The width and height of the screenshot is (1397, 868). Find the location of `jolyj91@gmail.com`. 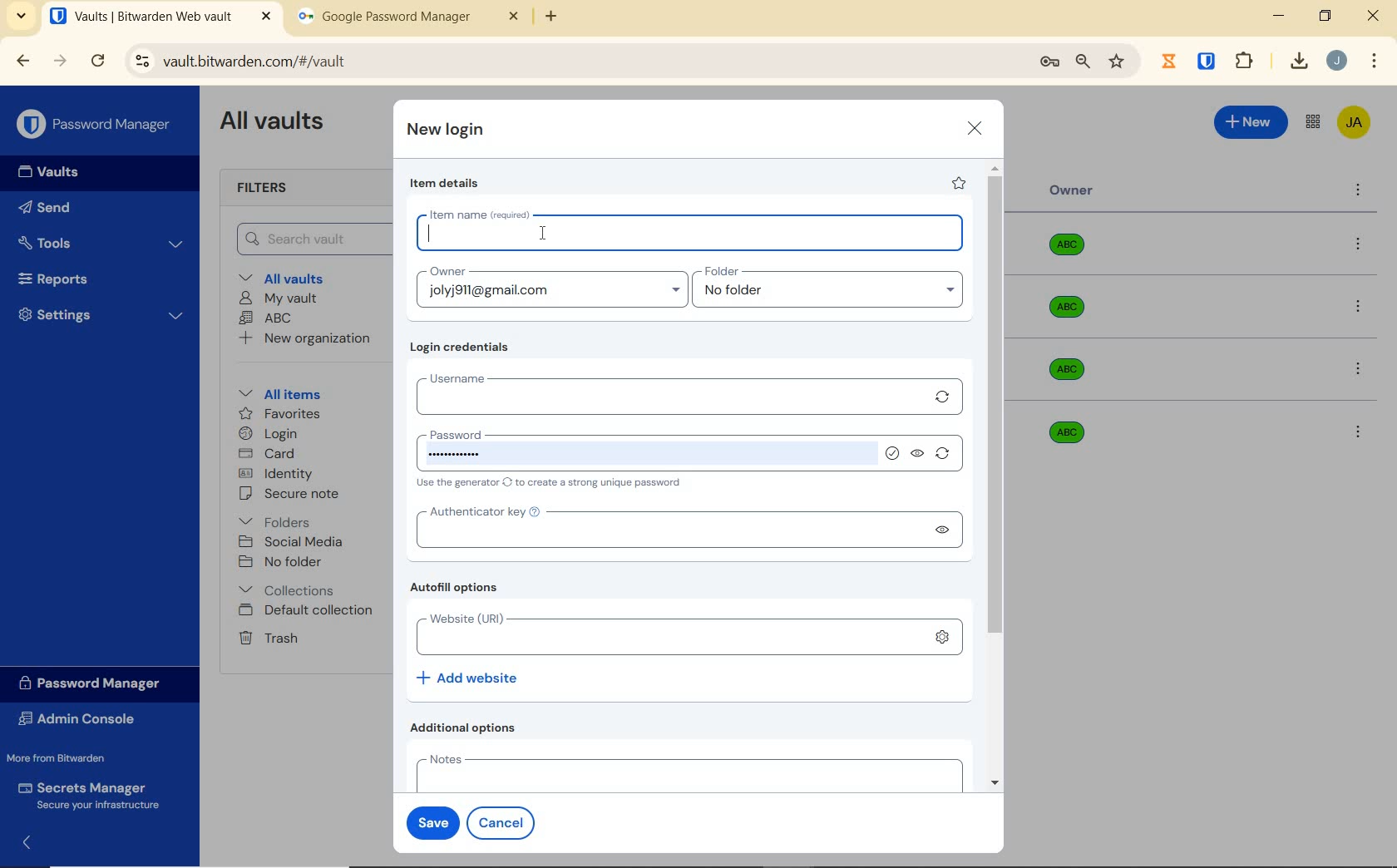

jolyj91@gmail.com is located at coordinates (555, 293).